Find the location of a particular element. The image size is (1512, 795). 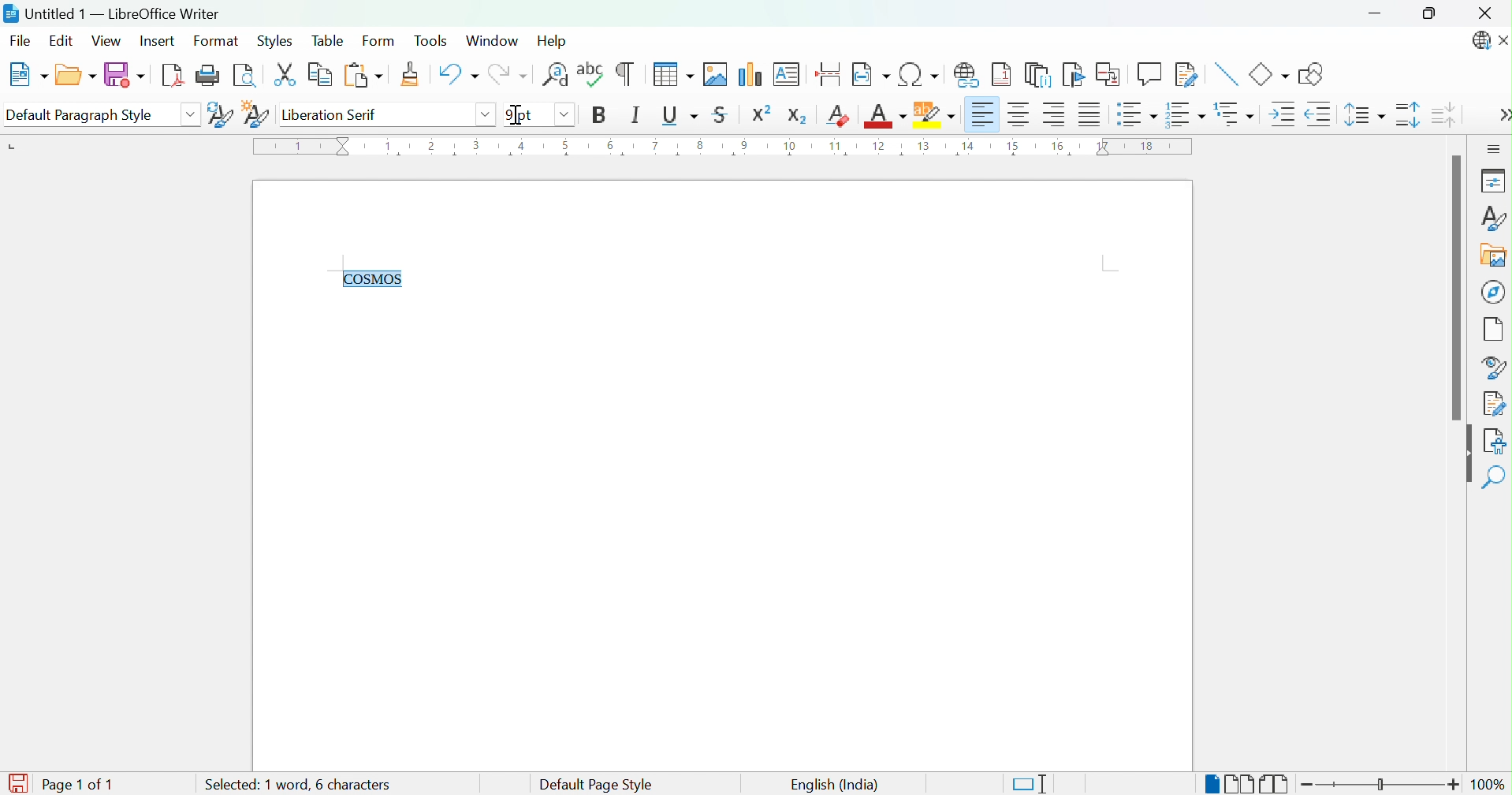

Selected: 1 word, 6 characters is located at coordinates (293, 785).